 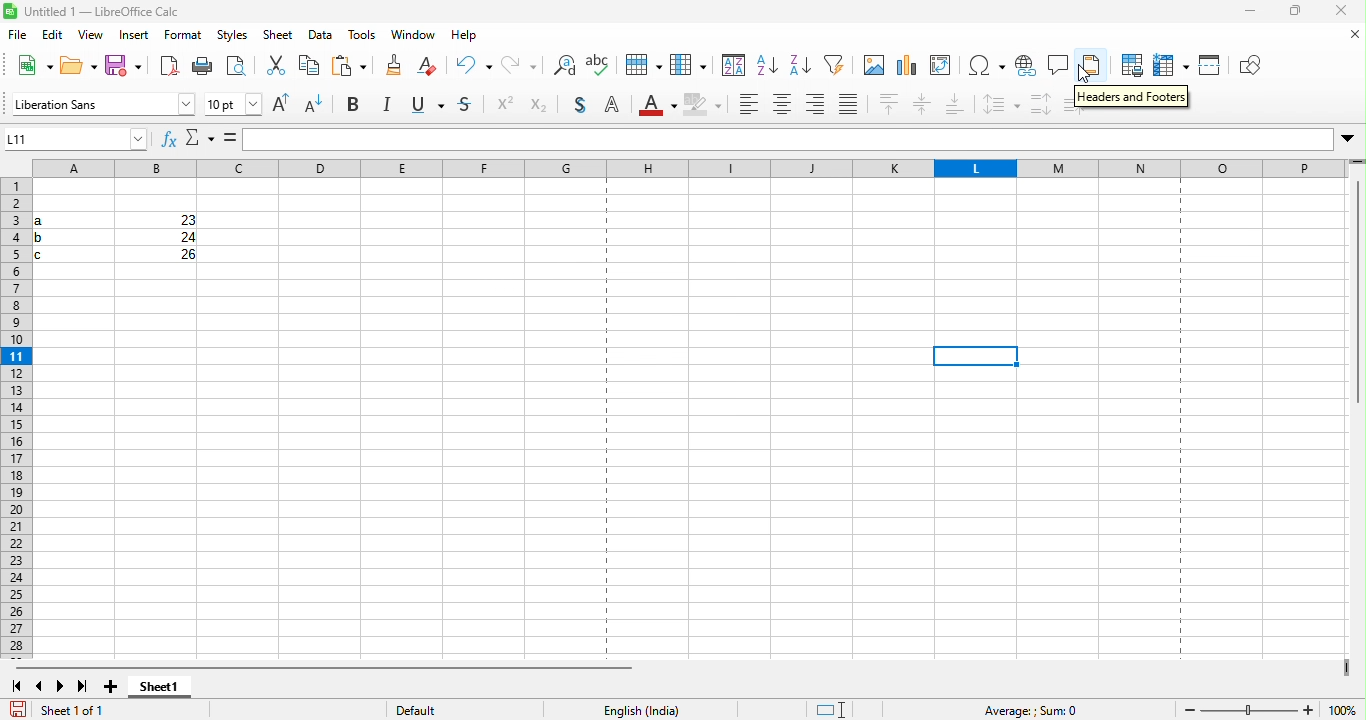 What do you see at coordinates (923, 106) in the screenshot?
I see `center vertically` at bounding box center [923, 106].